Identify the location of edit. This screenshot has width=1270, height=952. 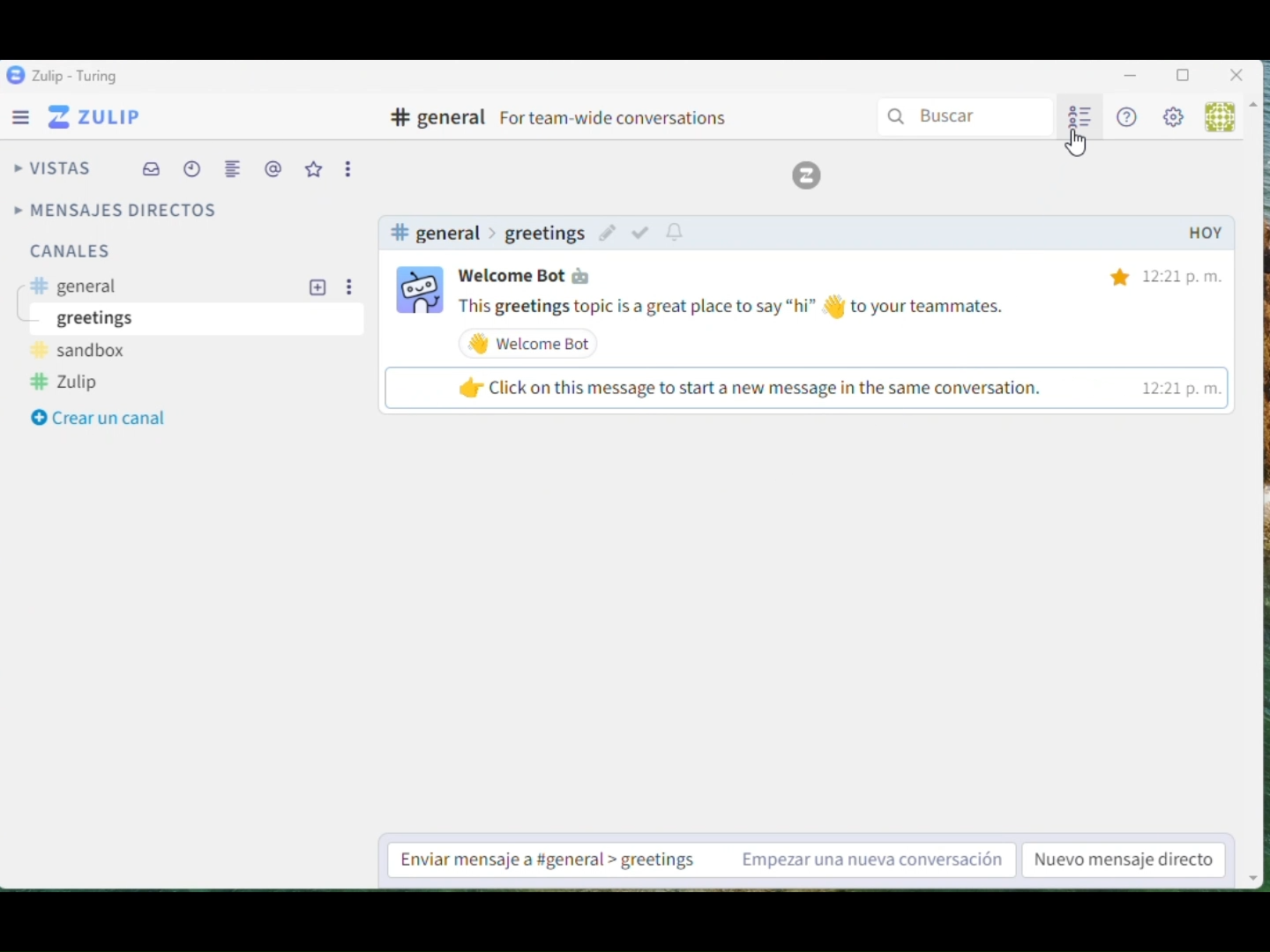
(606, 233).